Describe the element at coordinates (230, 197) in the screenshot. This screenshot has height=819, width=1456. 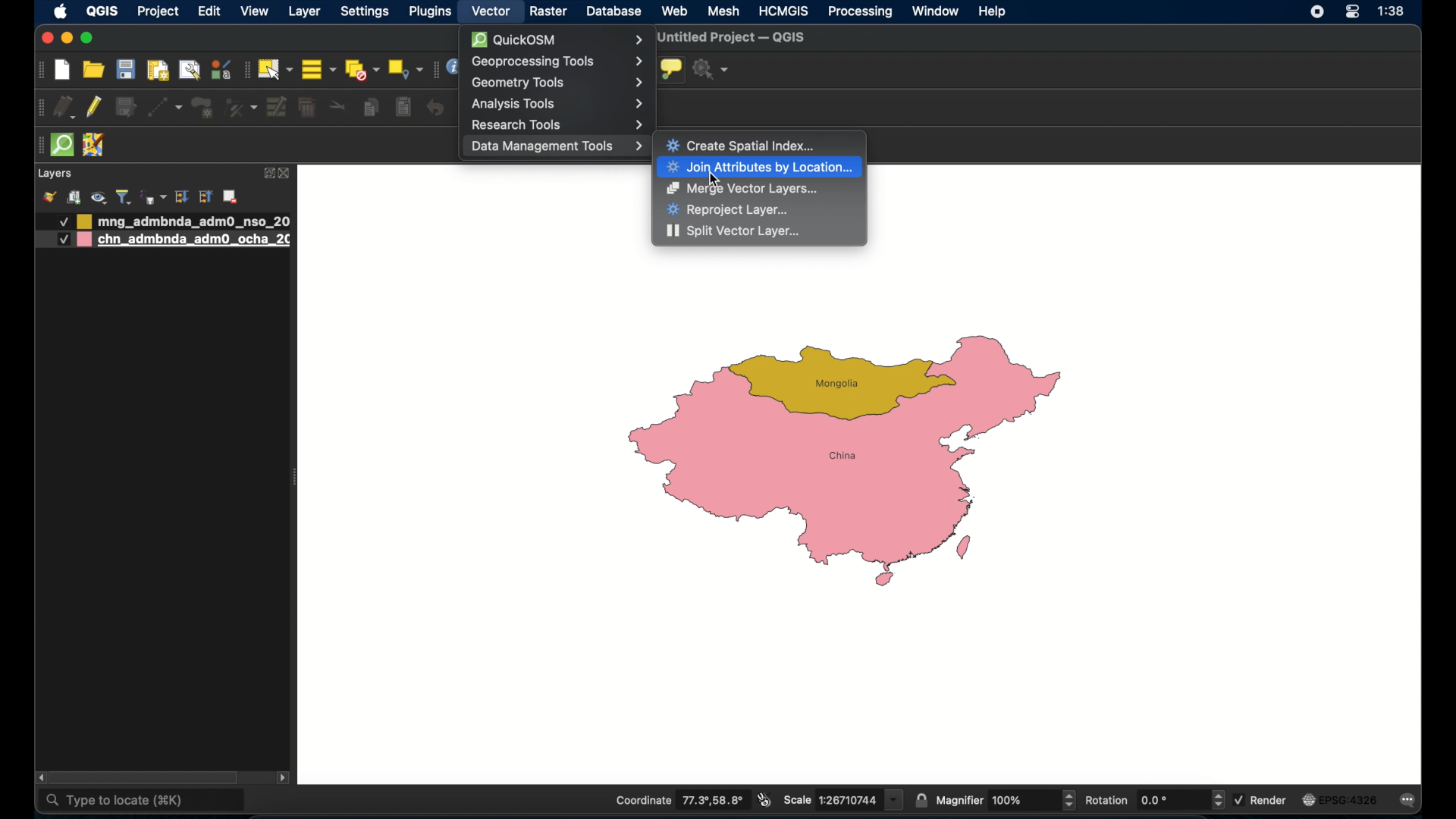
I see `add layer/group` at that location.